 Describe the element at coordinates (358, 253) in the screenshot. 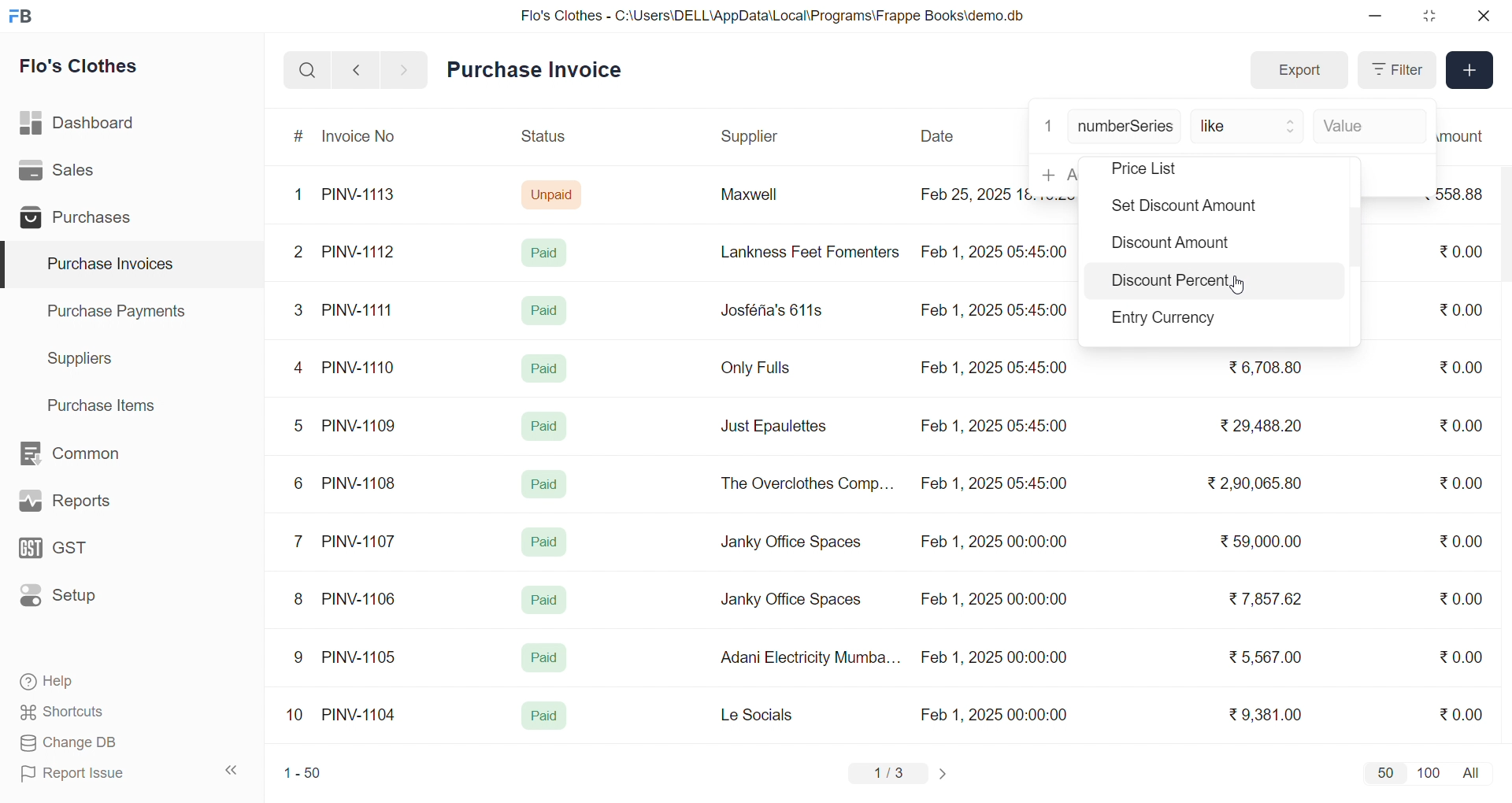

I see `PINV-1112` at that location.